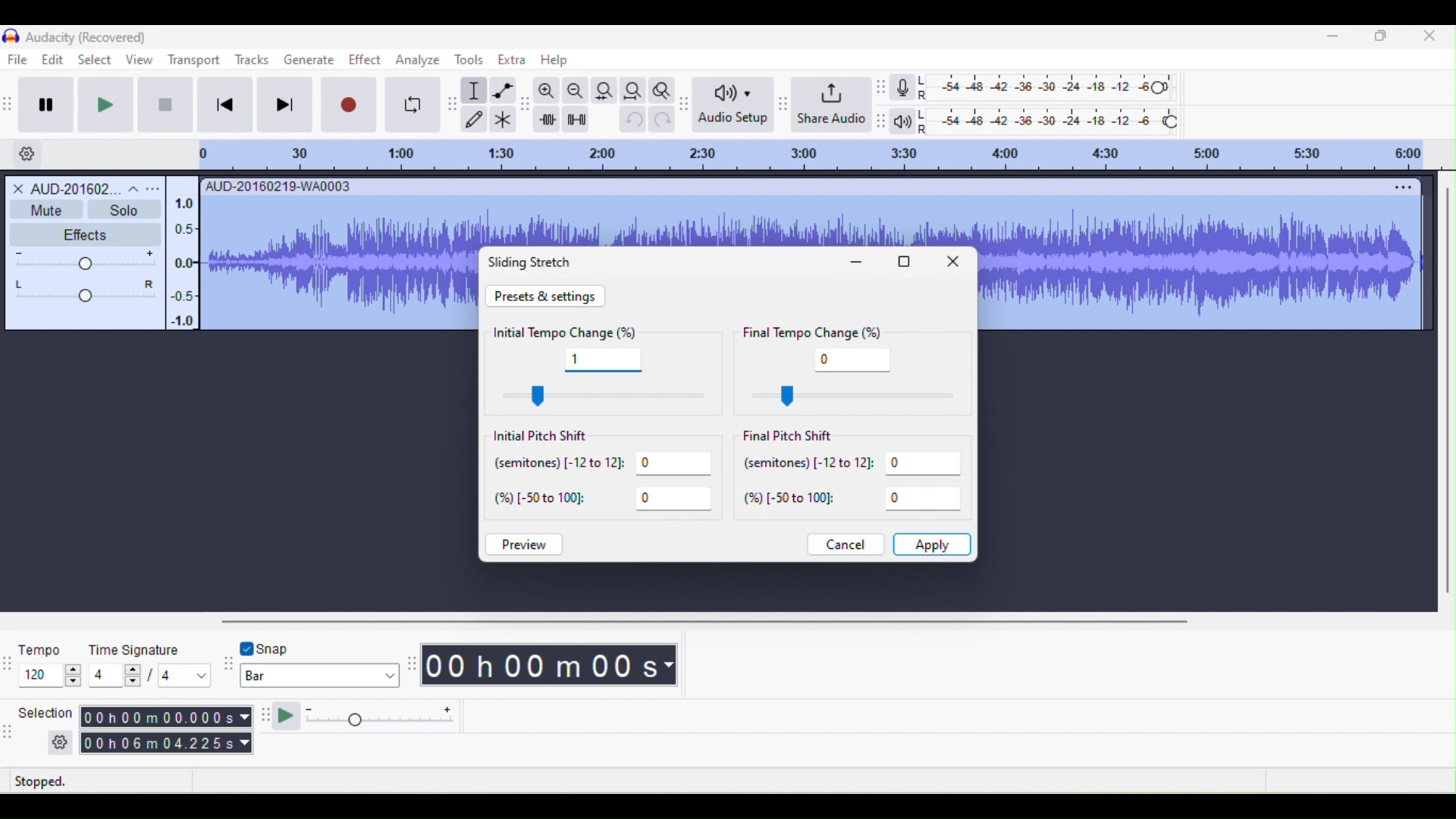 Image resolution: width=1456 pixels, height=819 pixels. I want to click on zoom out, so click(574, 90).